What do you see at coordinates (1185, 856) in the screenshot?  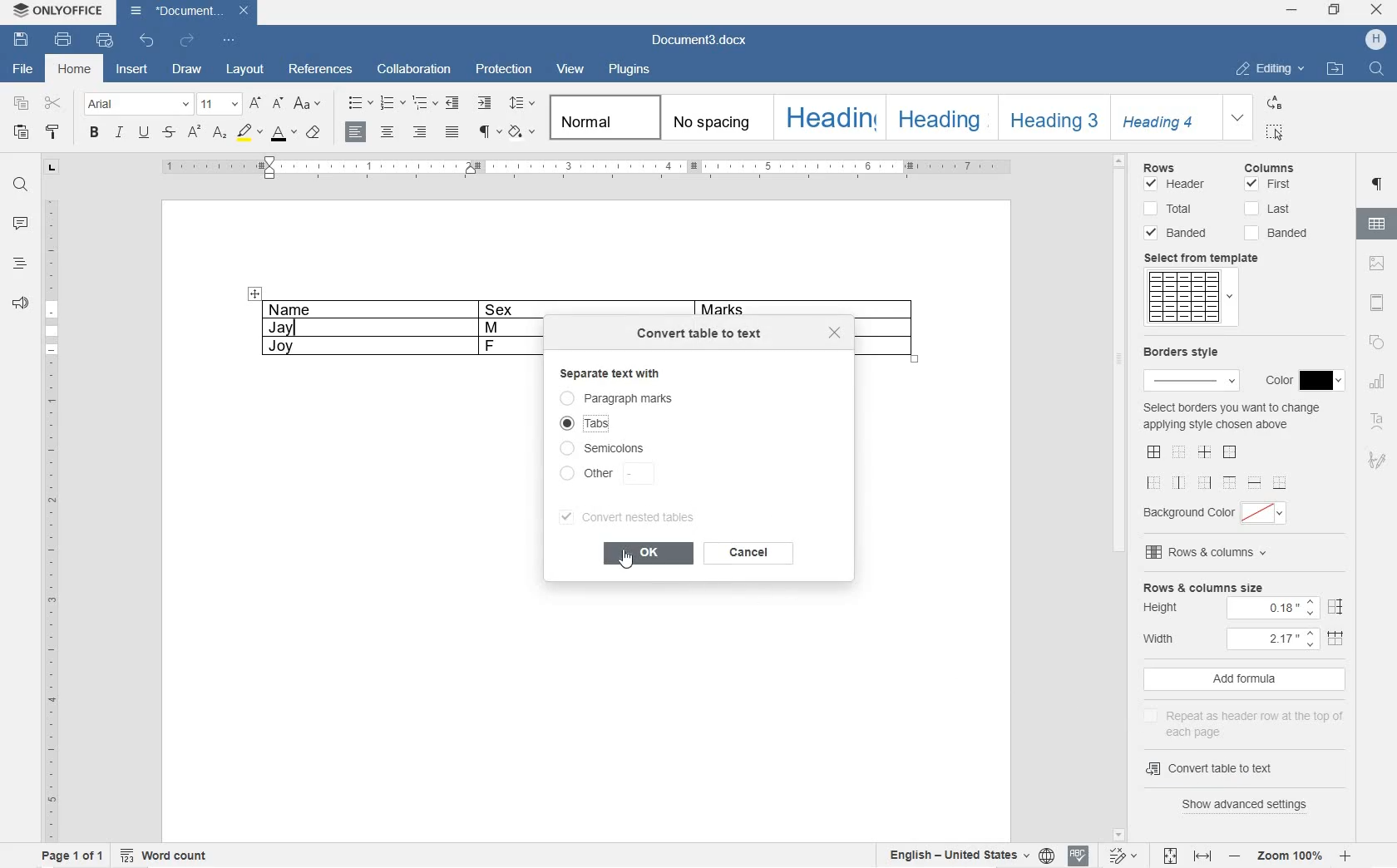 I see `FIT TO PAGE OR WIDTH` at bounding box center [1185, 856].